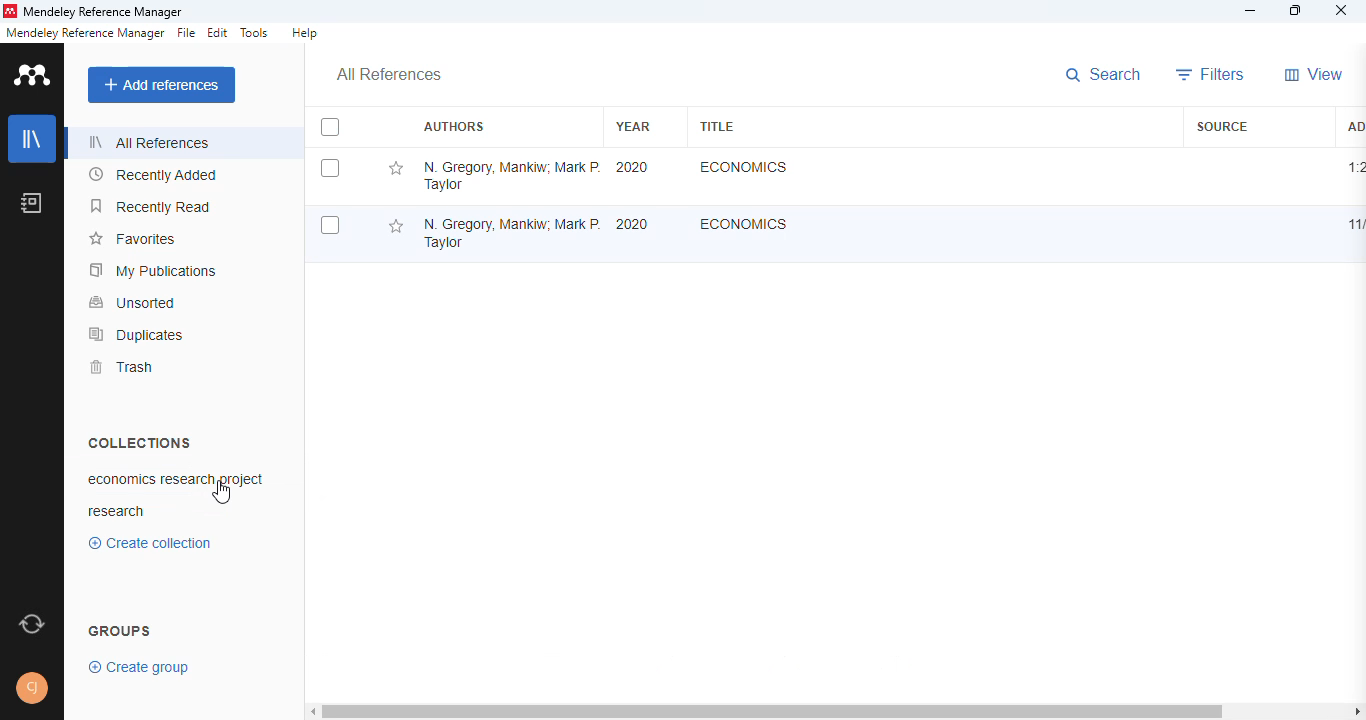  Describe the element at coordinates (120, 367) in the screenshot. I see `trash` at that location.